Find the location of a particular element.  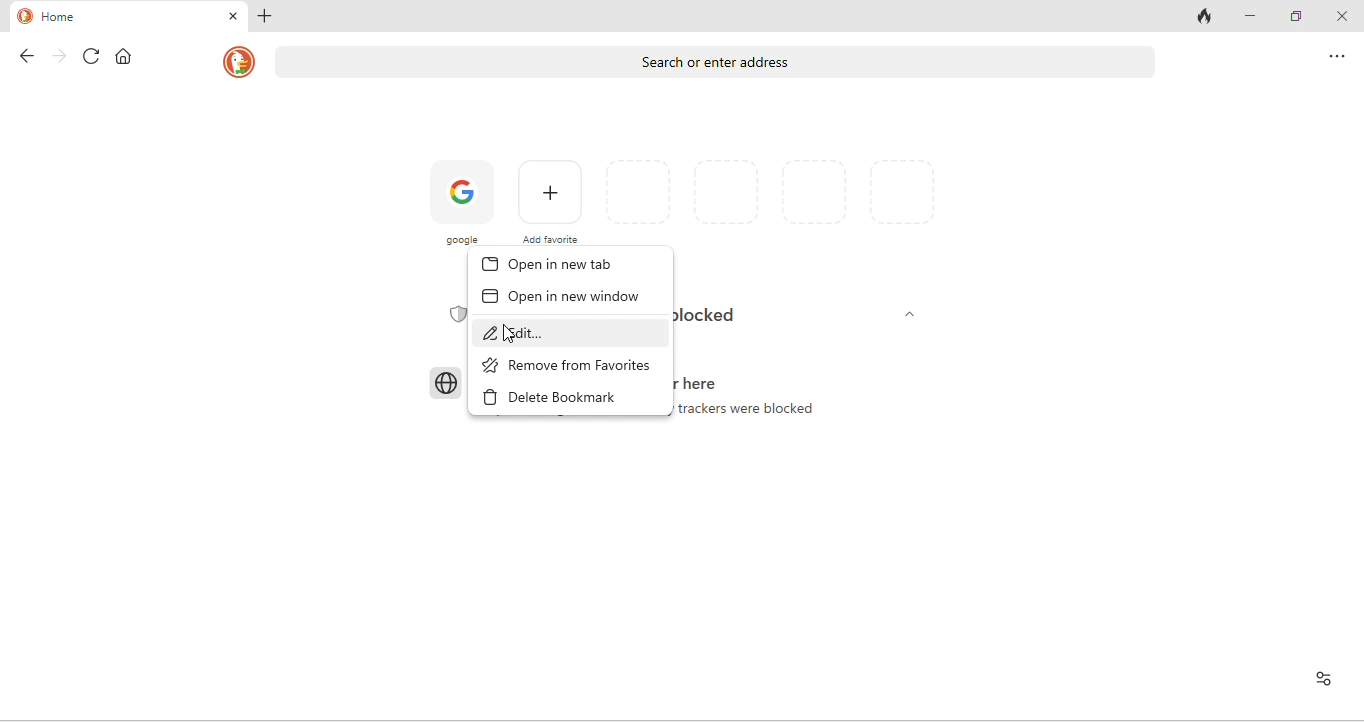

home is located at coordinates (73, 16).